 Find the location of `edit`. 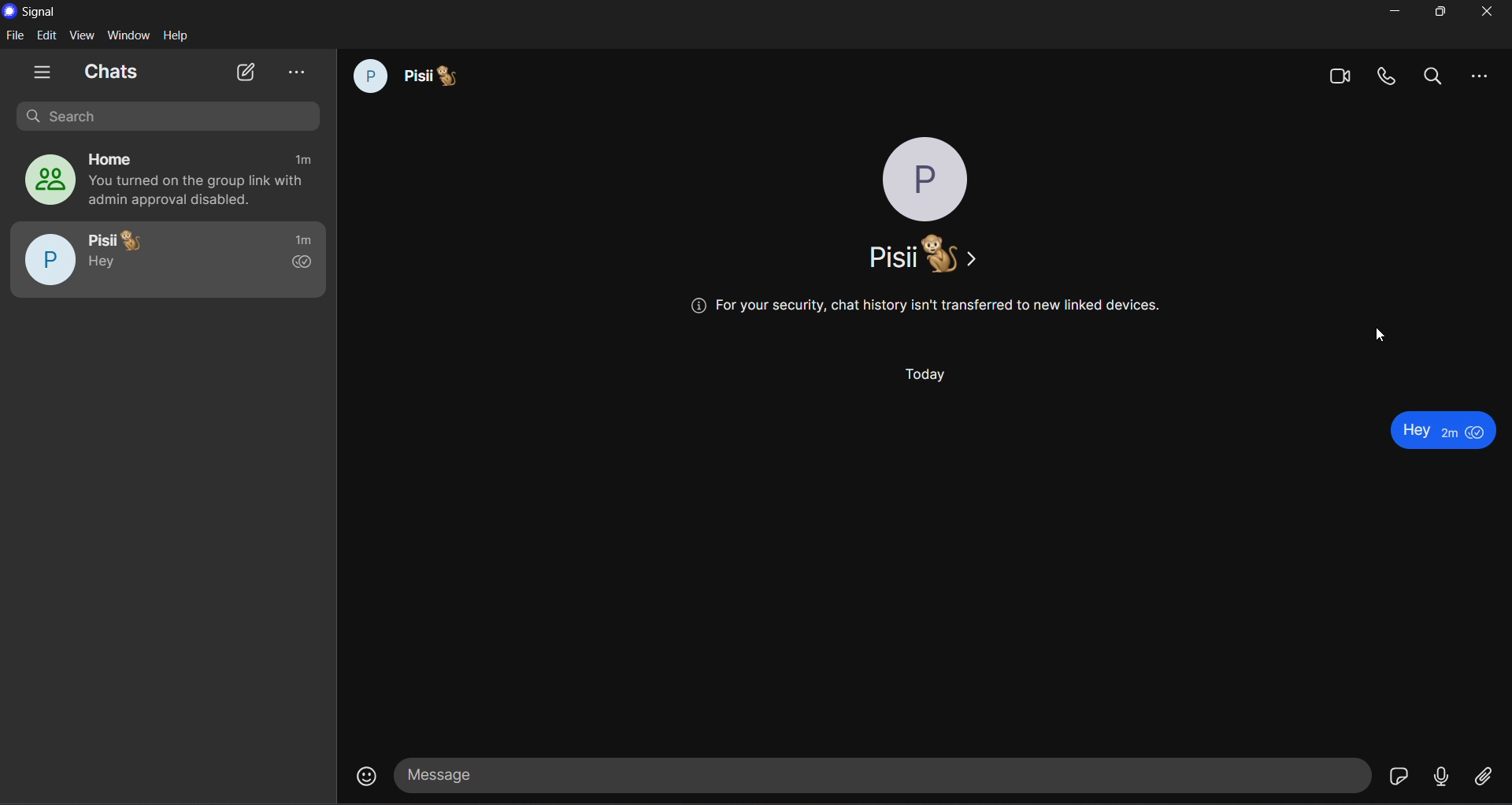

edit is located at coordinates (48, 35).